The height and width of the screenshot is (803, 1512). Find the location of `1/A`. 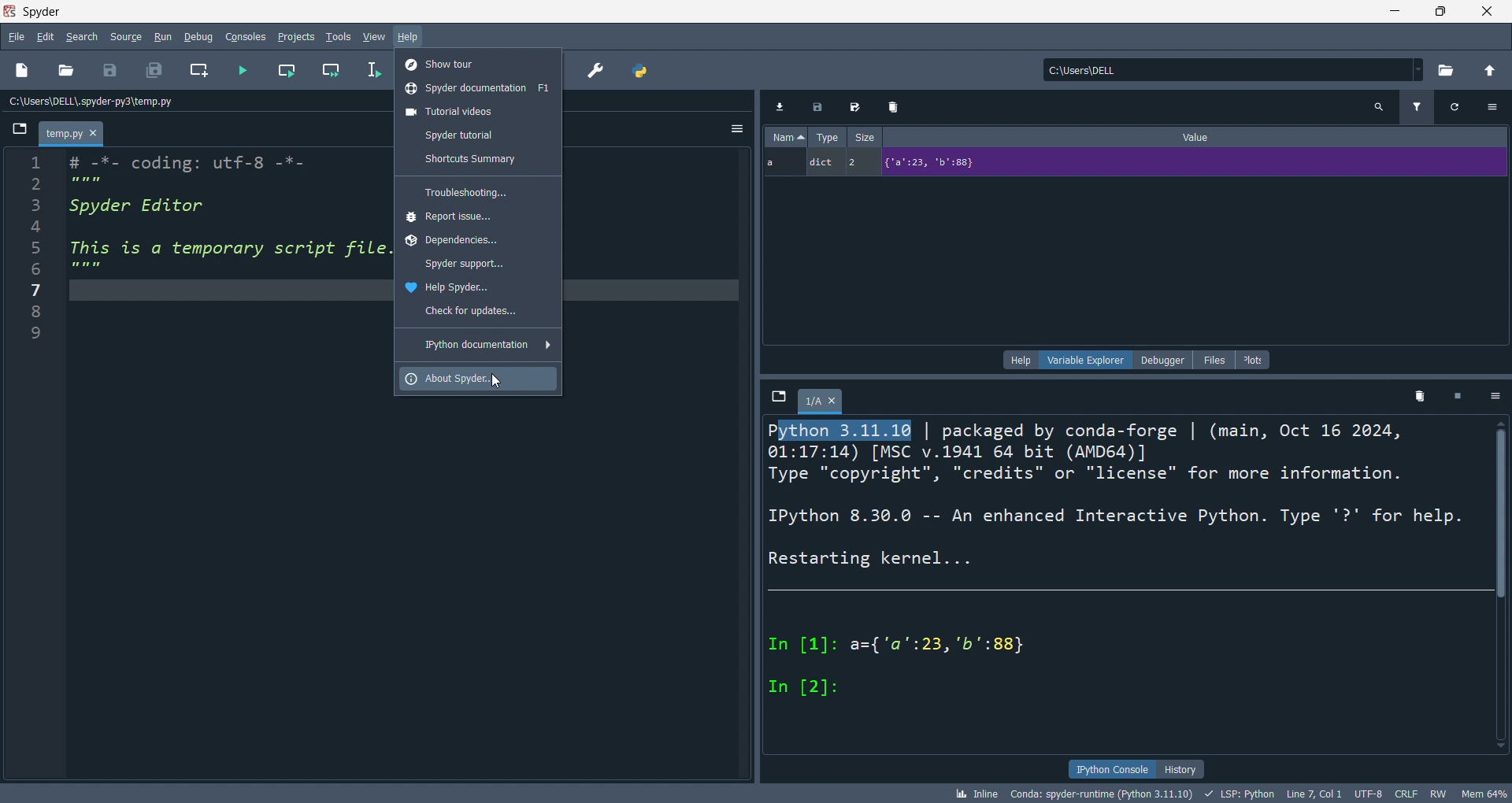

1/A is located at coordinates (823, 401).